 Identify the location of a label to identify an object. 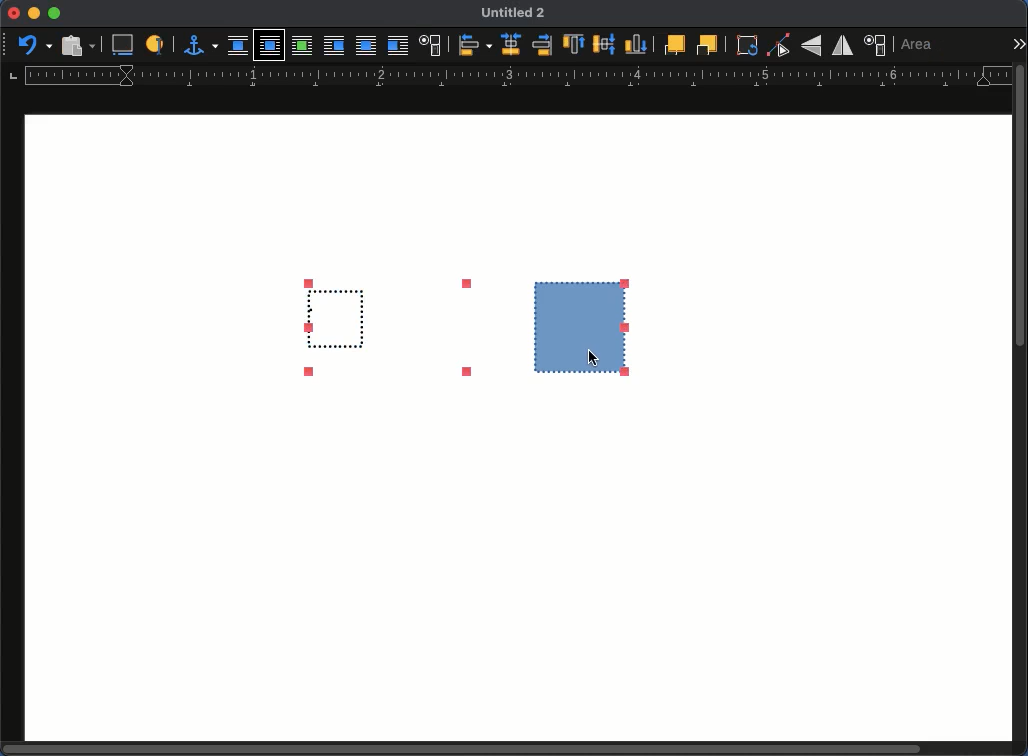
(157, 45).